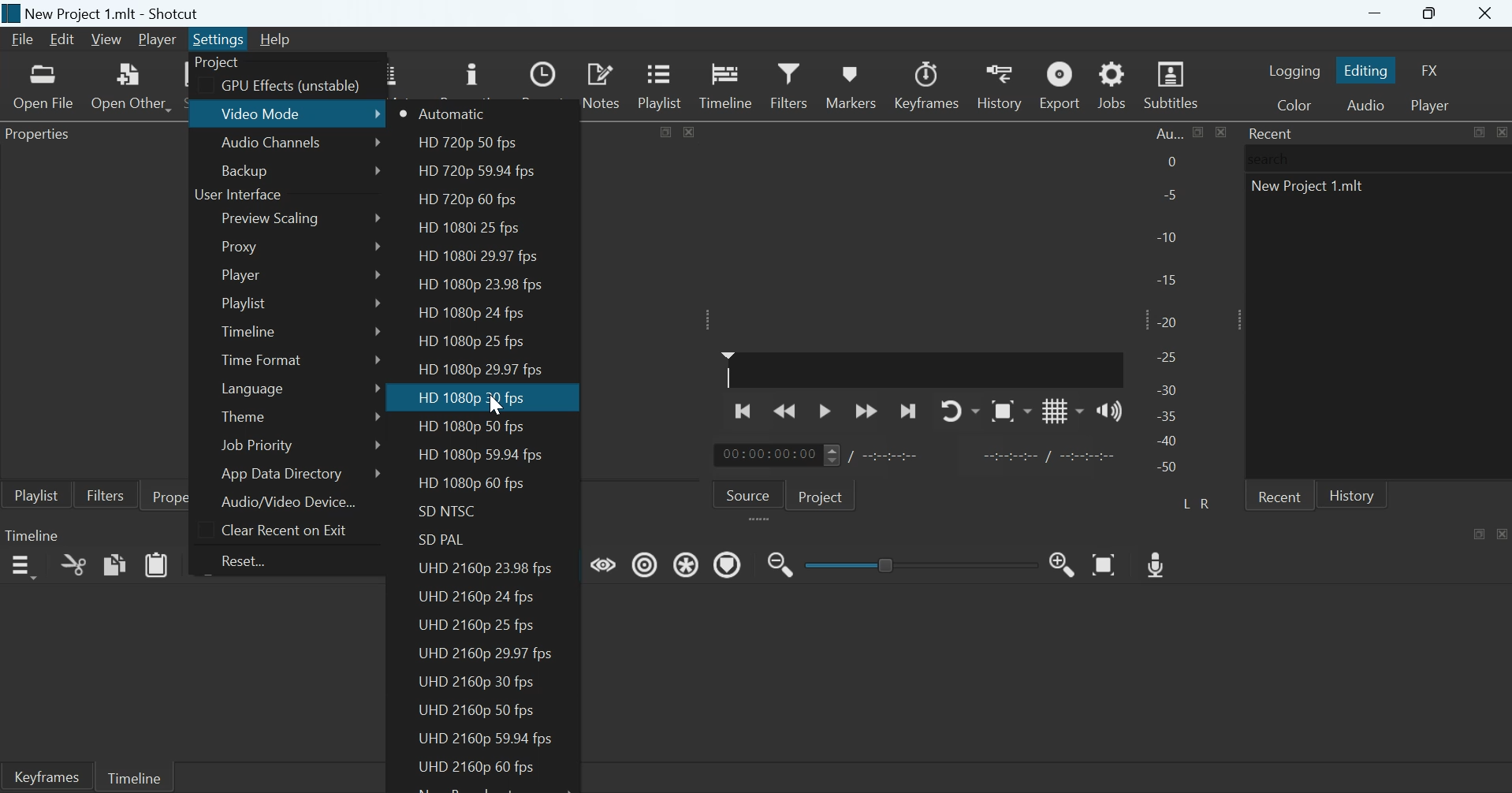 Image resolution: width=1512 pixels, height=793 pixels. I want to click on Settings, so click(218, 39).